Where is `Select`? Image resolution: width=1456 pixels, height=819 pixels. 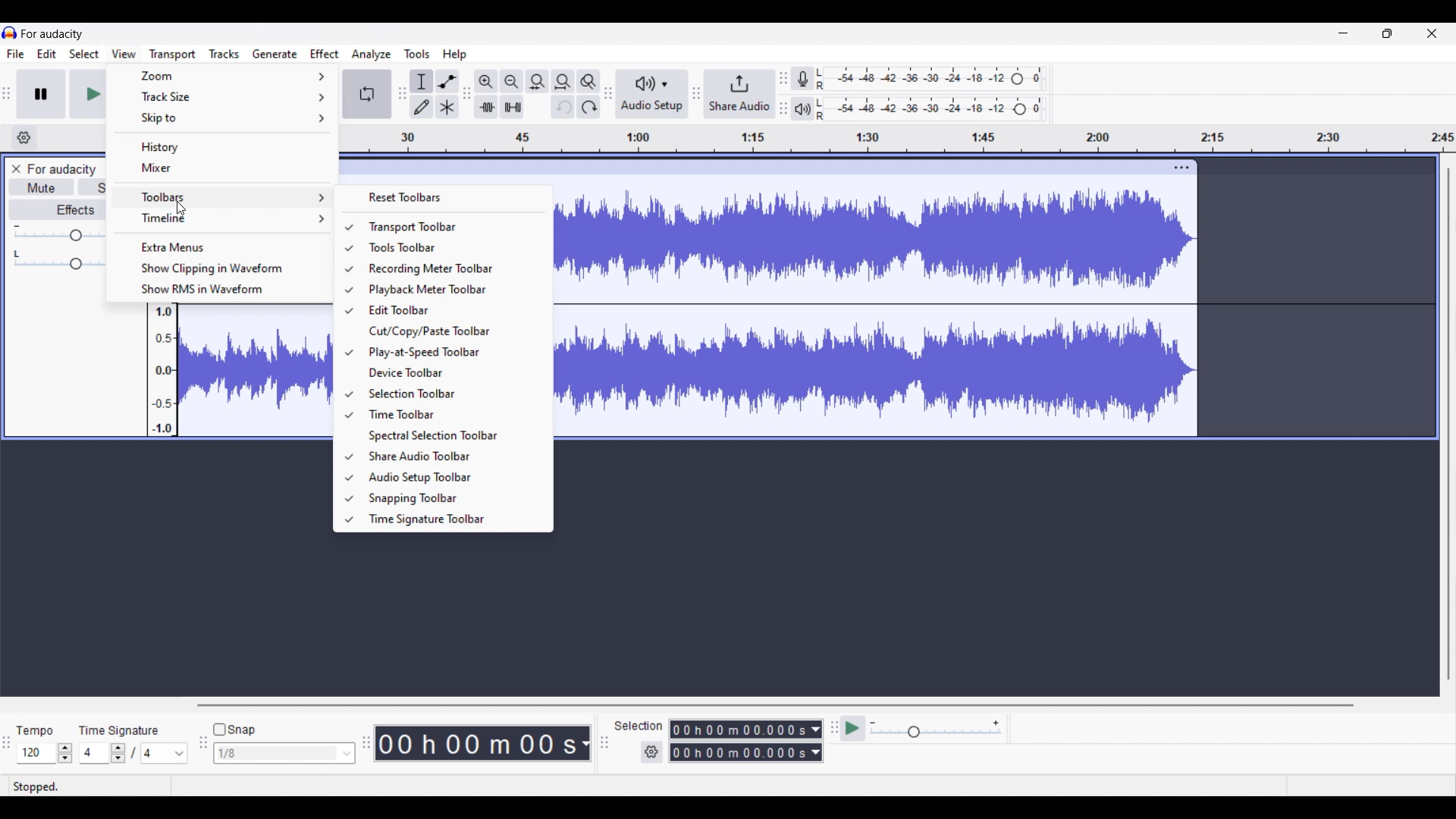 Select is located at coordinates (85, 53).